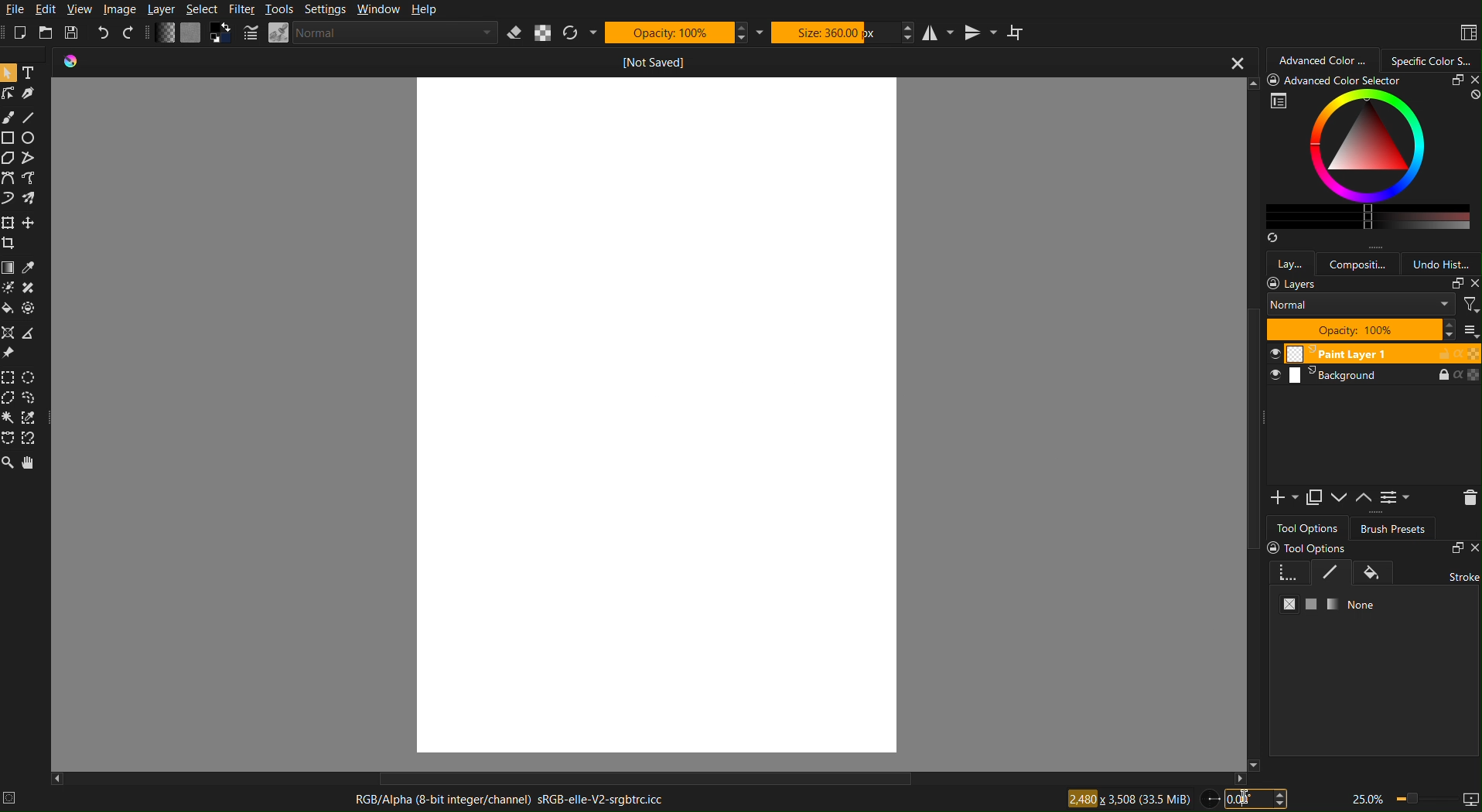 The height and width of the screenshot is (812, 1482). I want to click on Down, so click(1340, 499).